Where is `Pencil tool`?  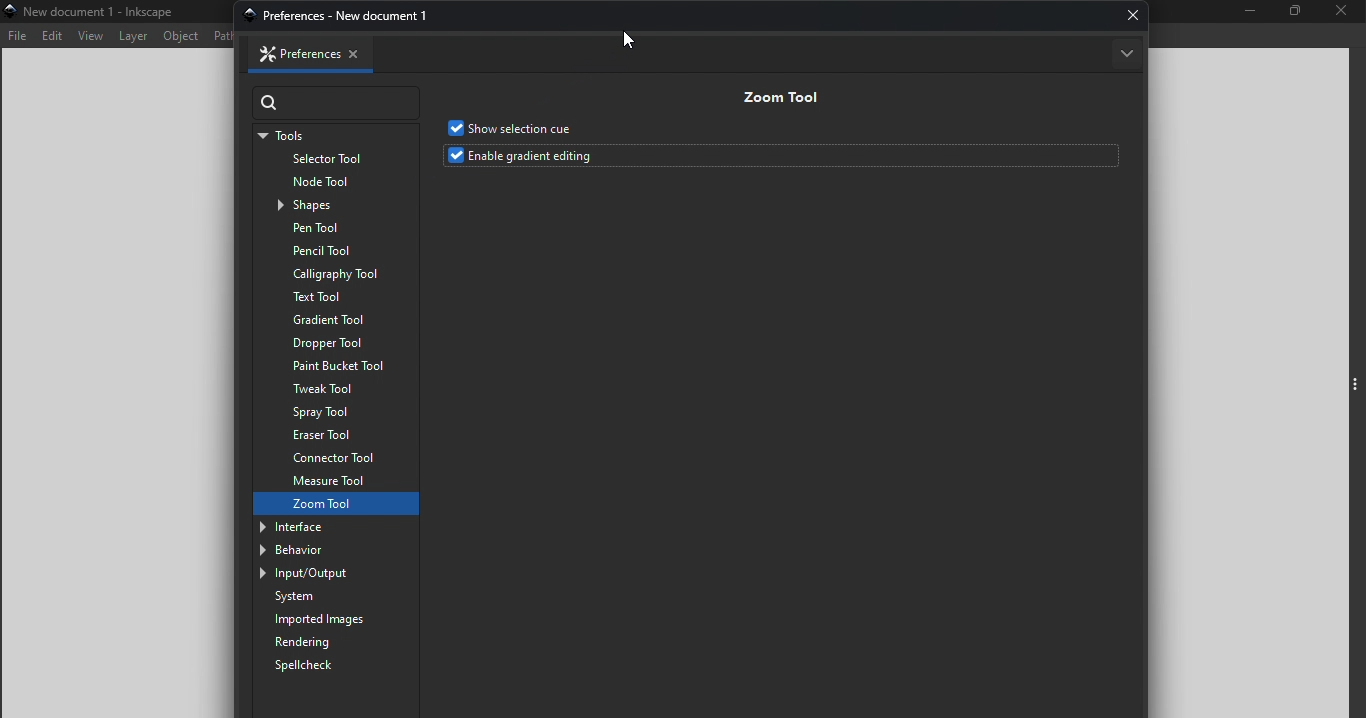
Pencil tool is located at coordinates (326, 250).